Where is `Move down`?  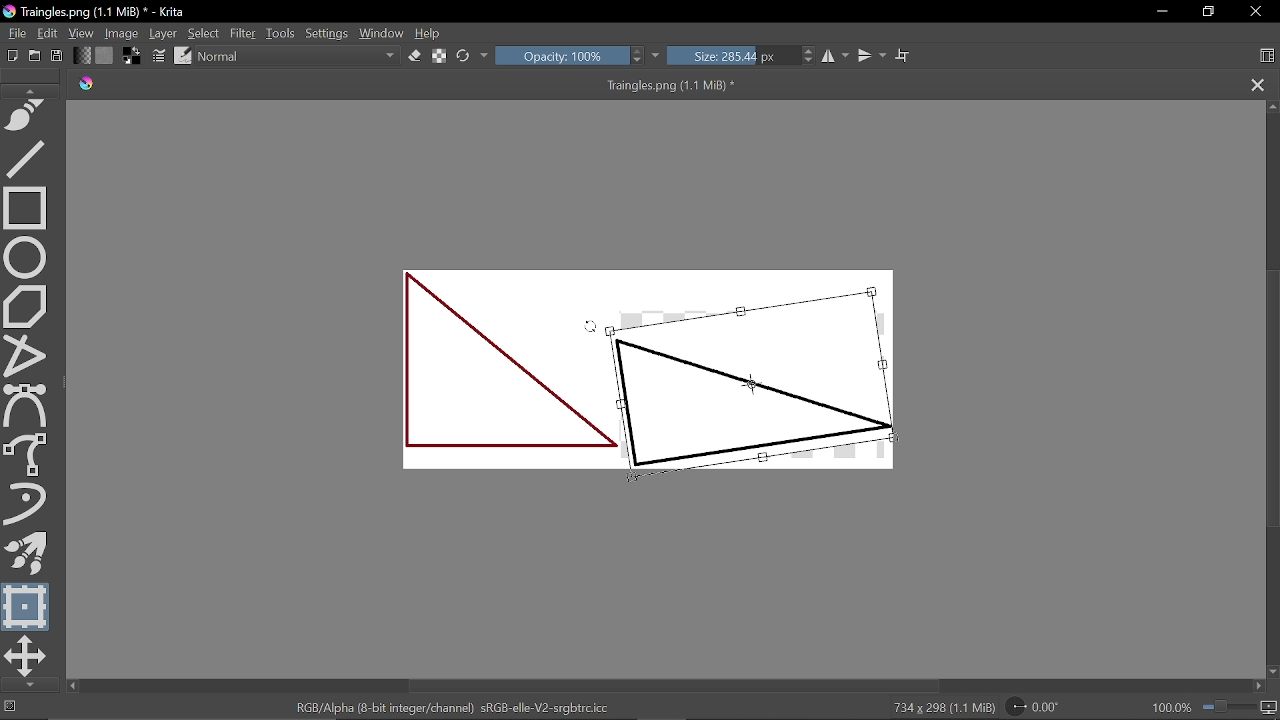
Move down is located at coordinates (1272, 672).